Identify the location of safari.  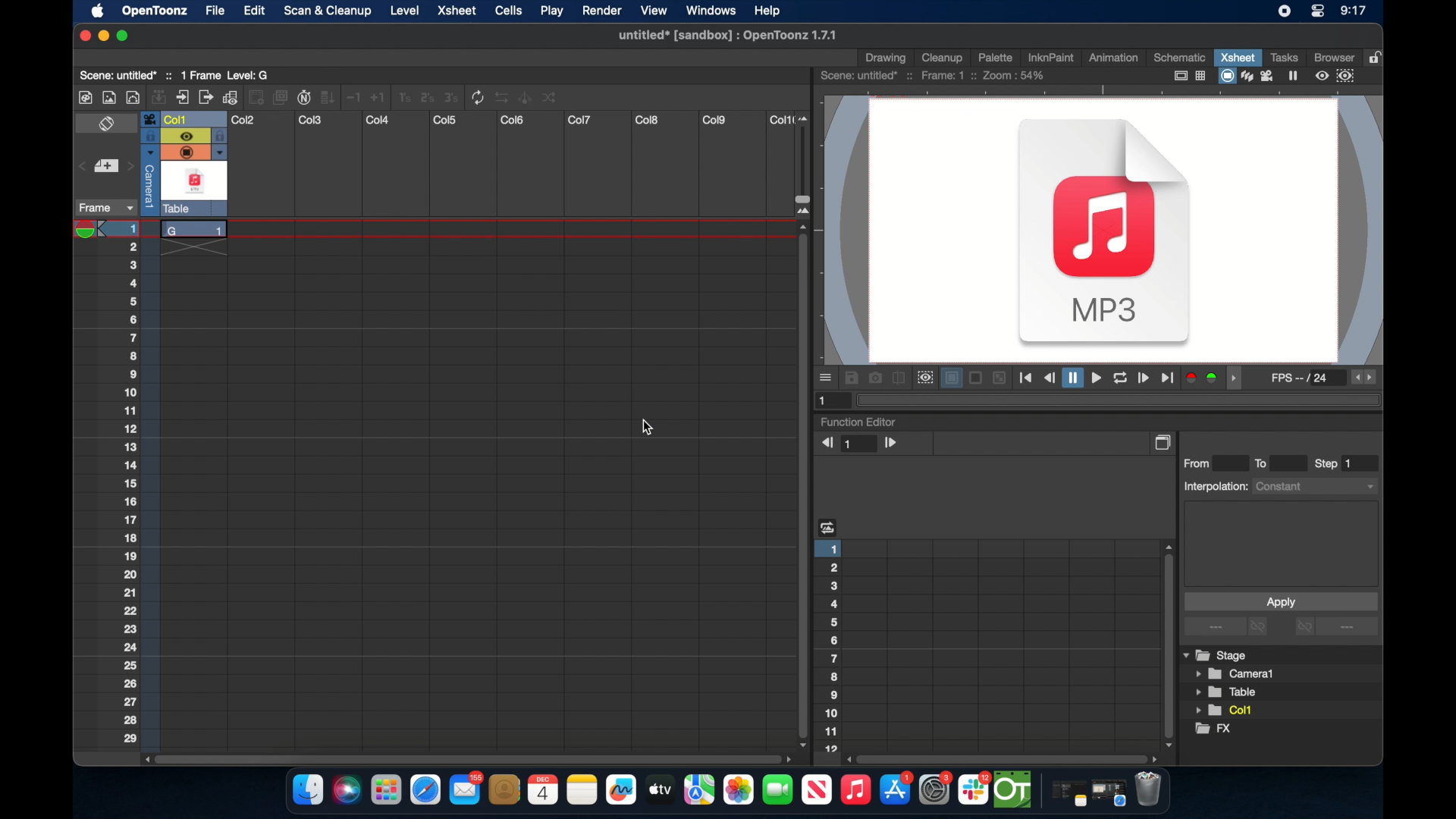
(426, 790).